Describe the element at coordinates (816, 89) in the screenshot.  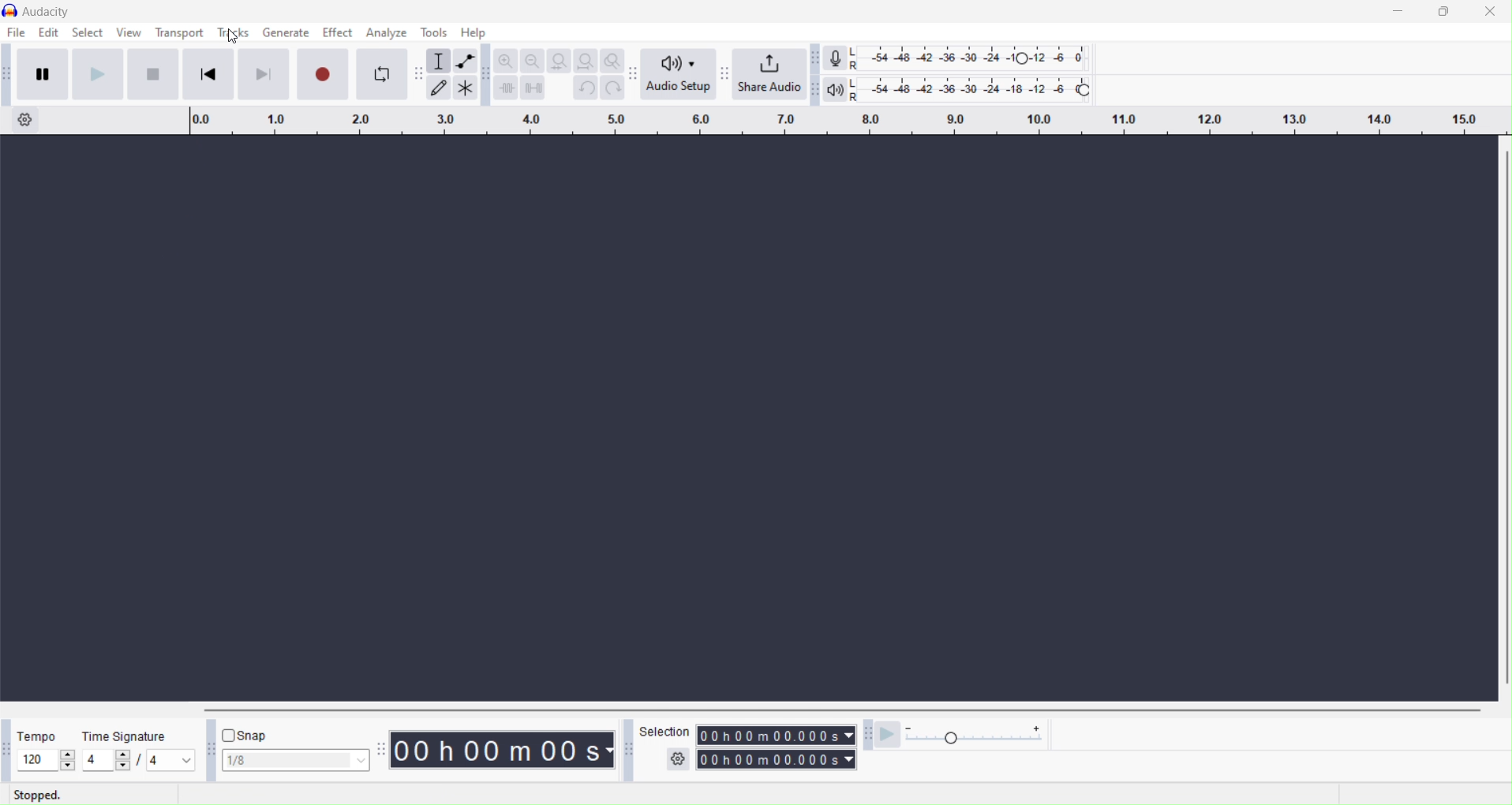
I see `Audacity playback meter toolbar` at that location.